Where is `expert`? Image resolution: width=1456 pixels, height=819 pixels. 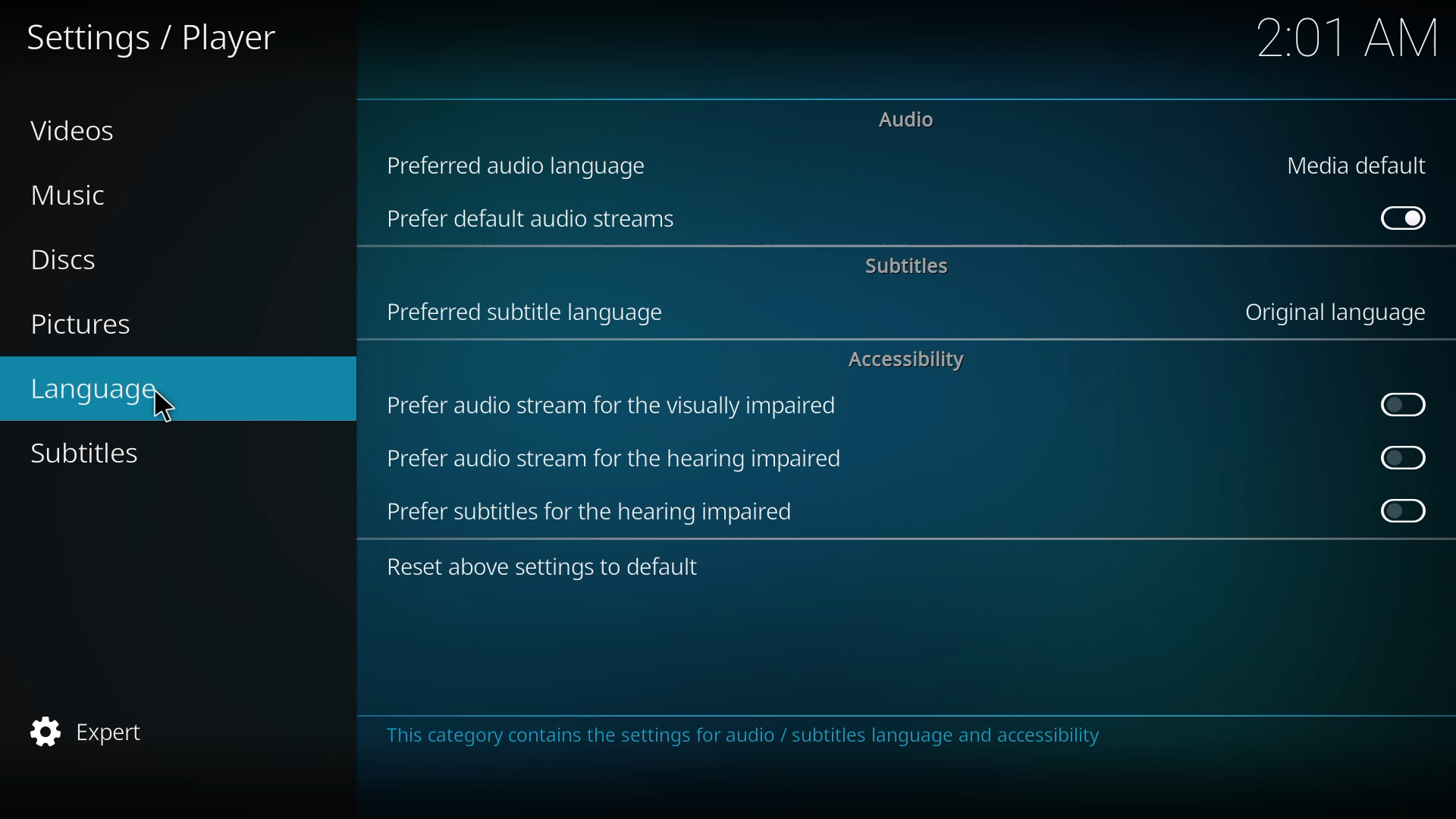
expert is located at coordinates (93, 730).